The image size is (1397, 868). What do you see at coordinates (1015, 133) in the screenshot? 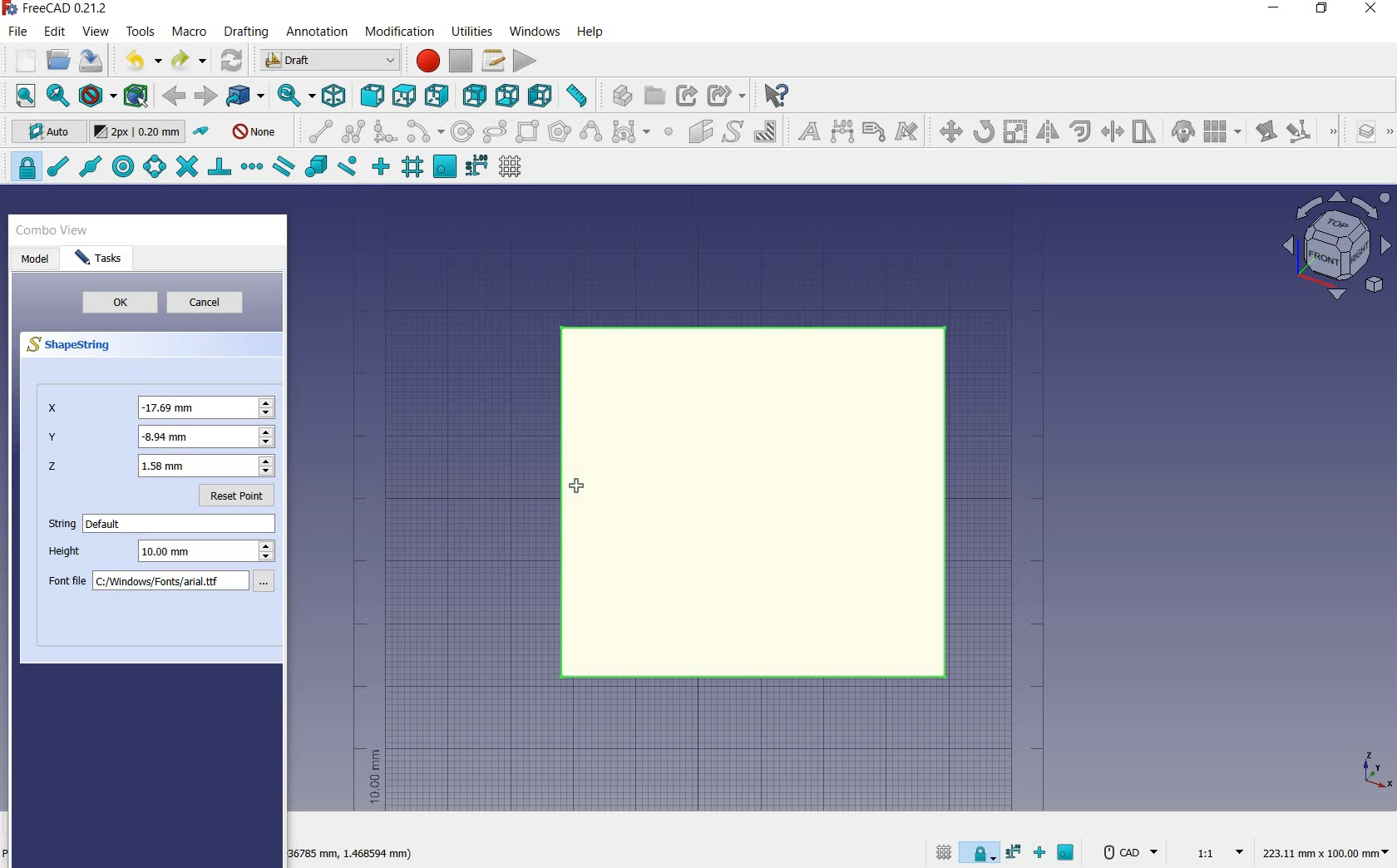
I see `scale` at bounding box center [1015, 133].